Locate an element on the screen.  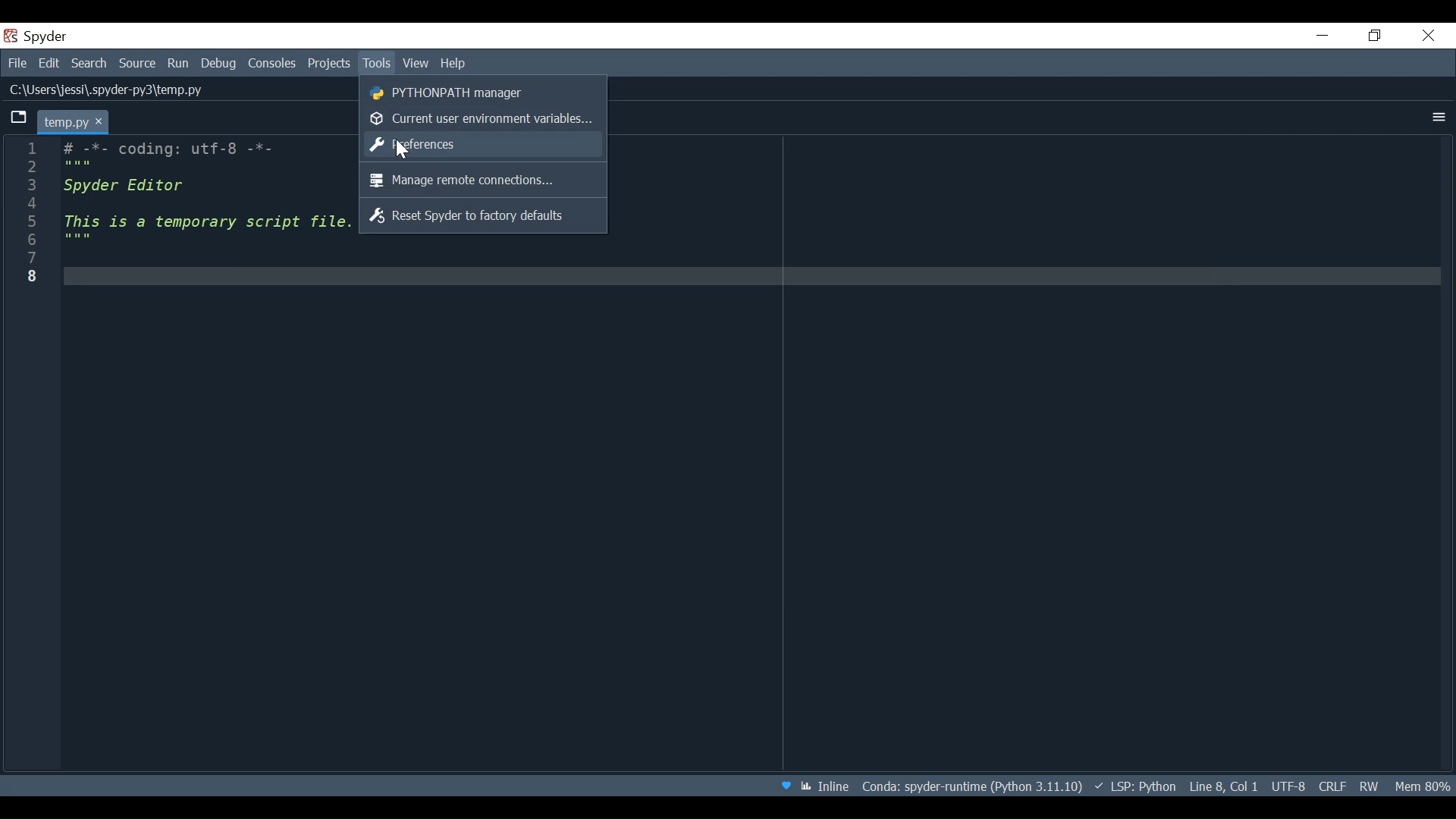
Search is located at coordinates (89, 65).